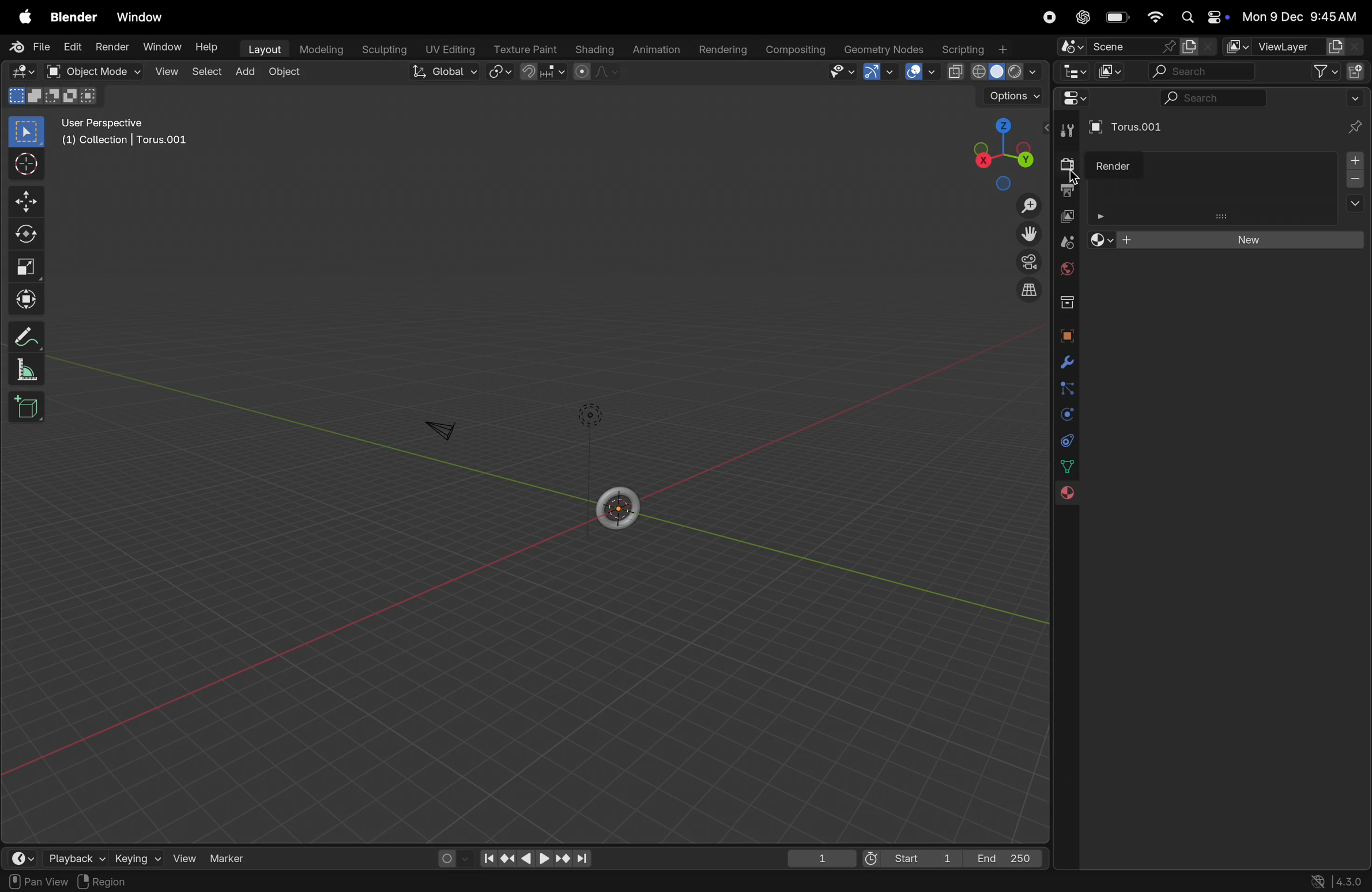 The image size is (1372, 892). What do you see at coordinates (1355, 100) in the screenshot?
I see `drpp down` at bounding box center [1355, 100].